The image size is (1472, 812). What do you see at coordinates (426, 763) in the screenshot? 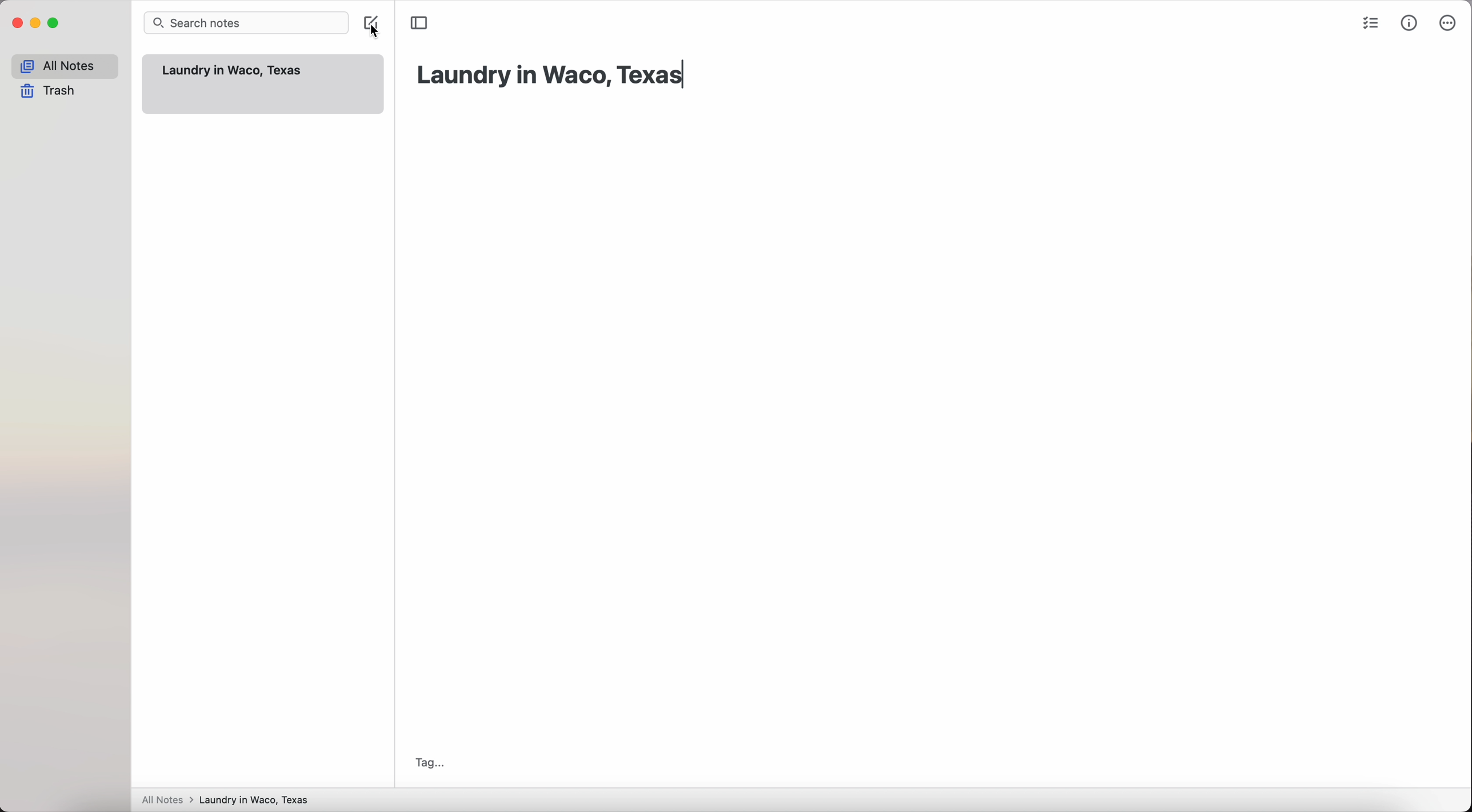
I see `tag` at bounding box center [426, 763].